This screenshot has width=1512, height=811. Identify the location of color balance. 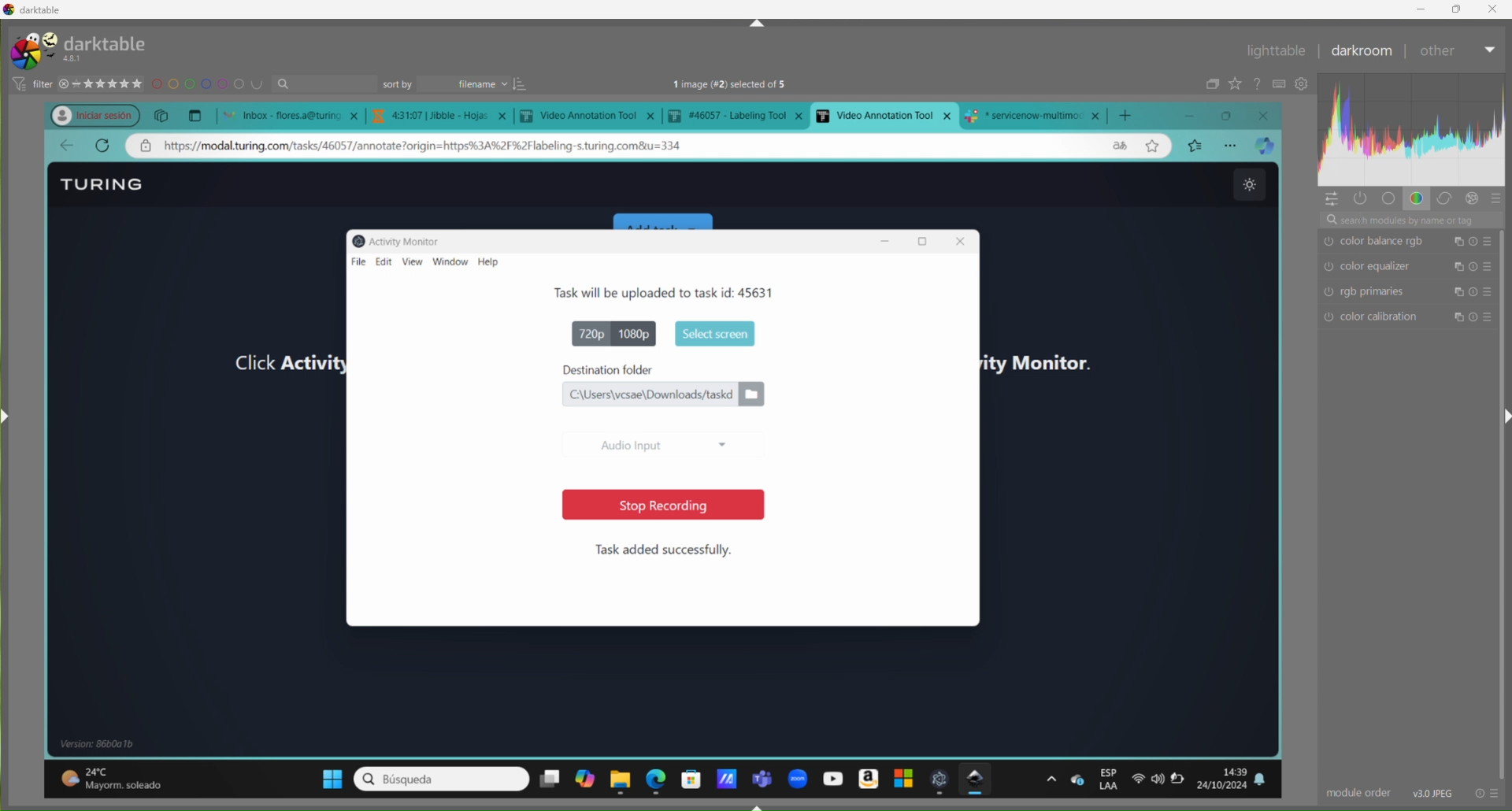
(1416, 243).